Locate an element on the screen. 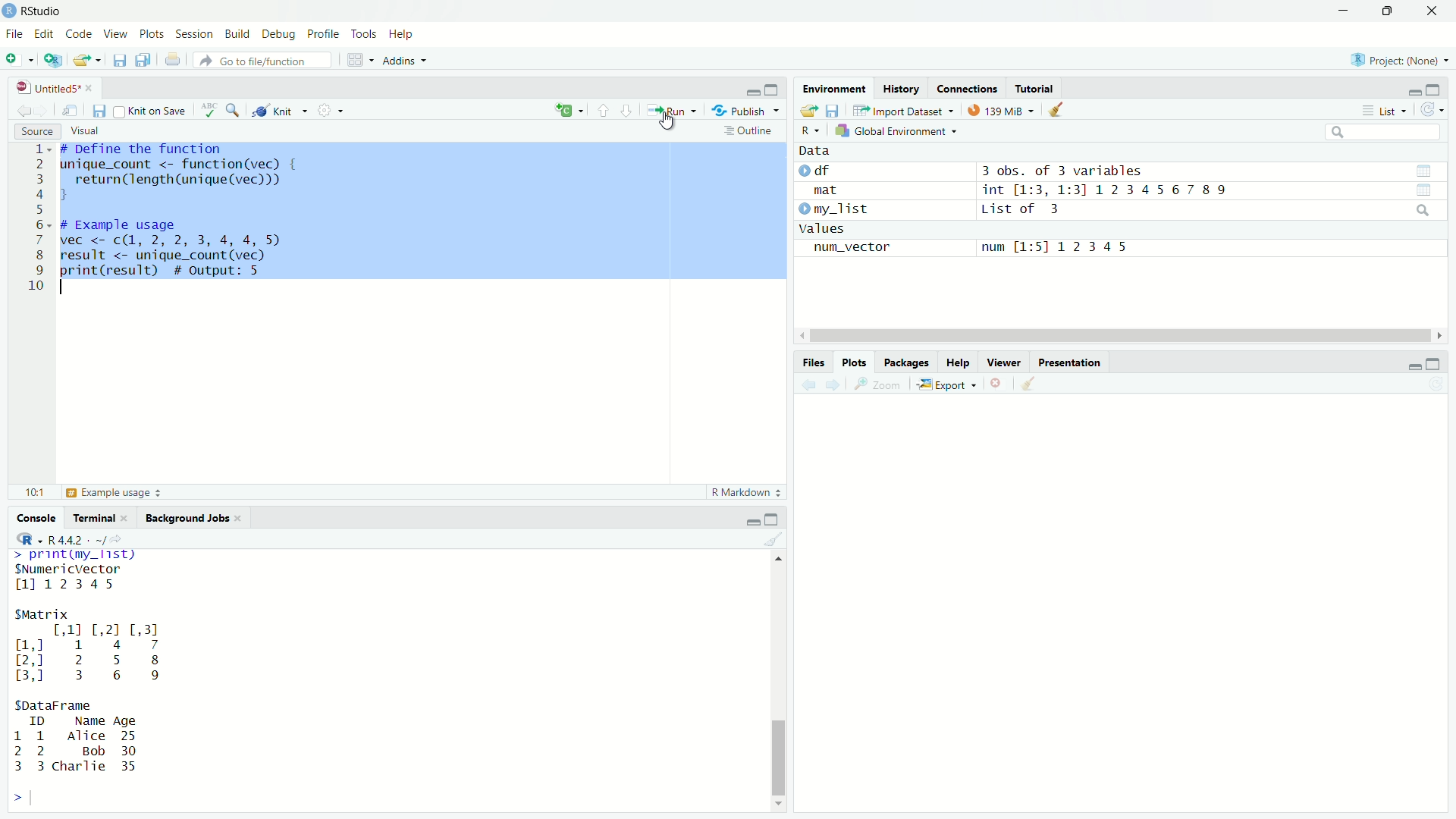  app icon is located at coordinates (9, 11).